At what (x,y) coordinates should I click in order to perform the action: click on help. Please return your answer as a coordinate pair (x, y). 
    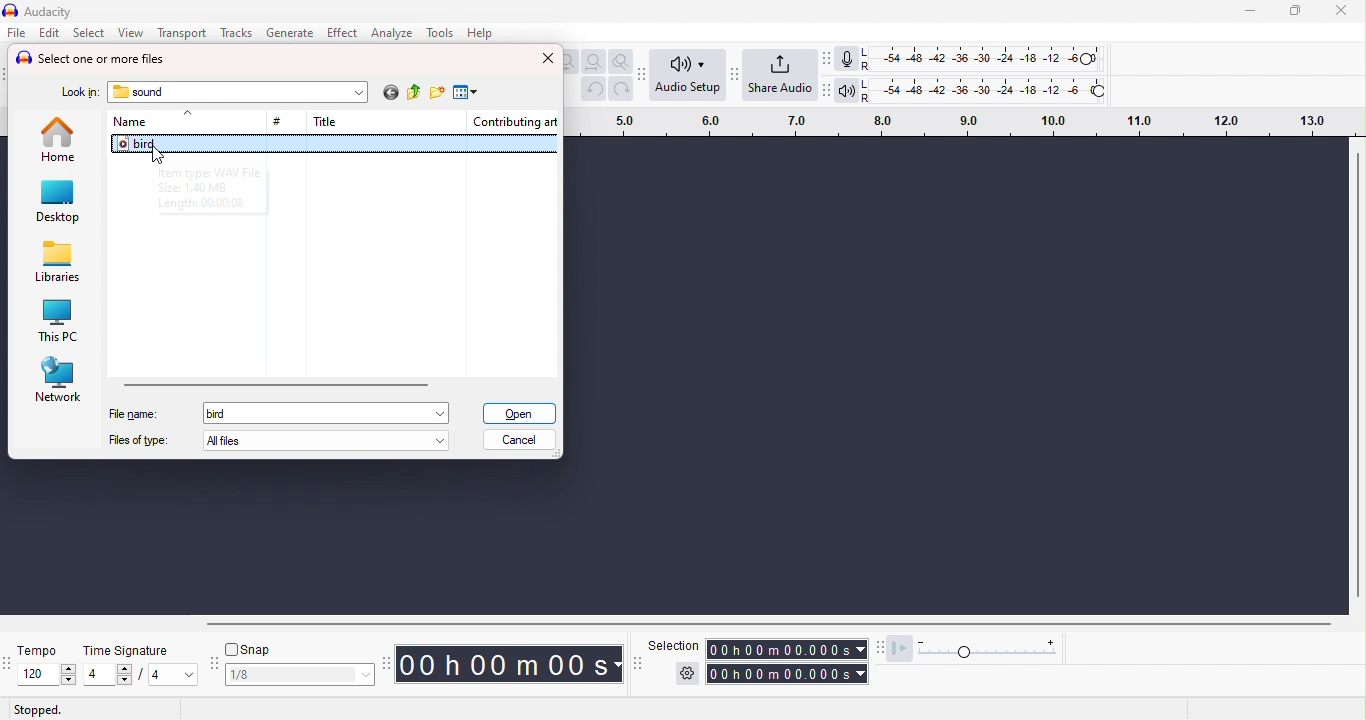
    Looking at the image, I should click on (479, 32).